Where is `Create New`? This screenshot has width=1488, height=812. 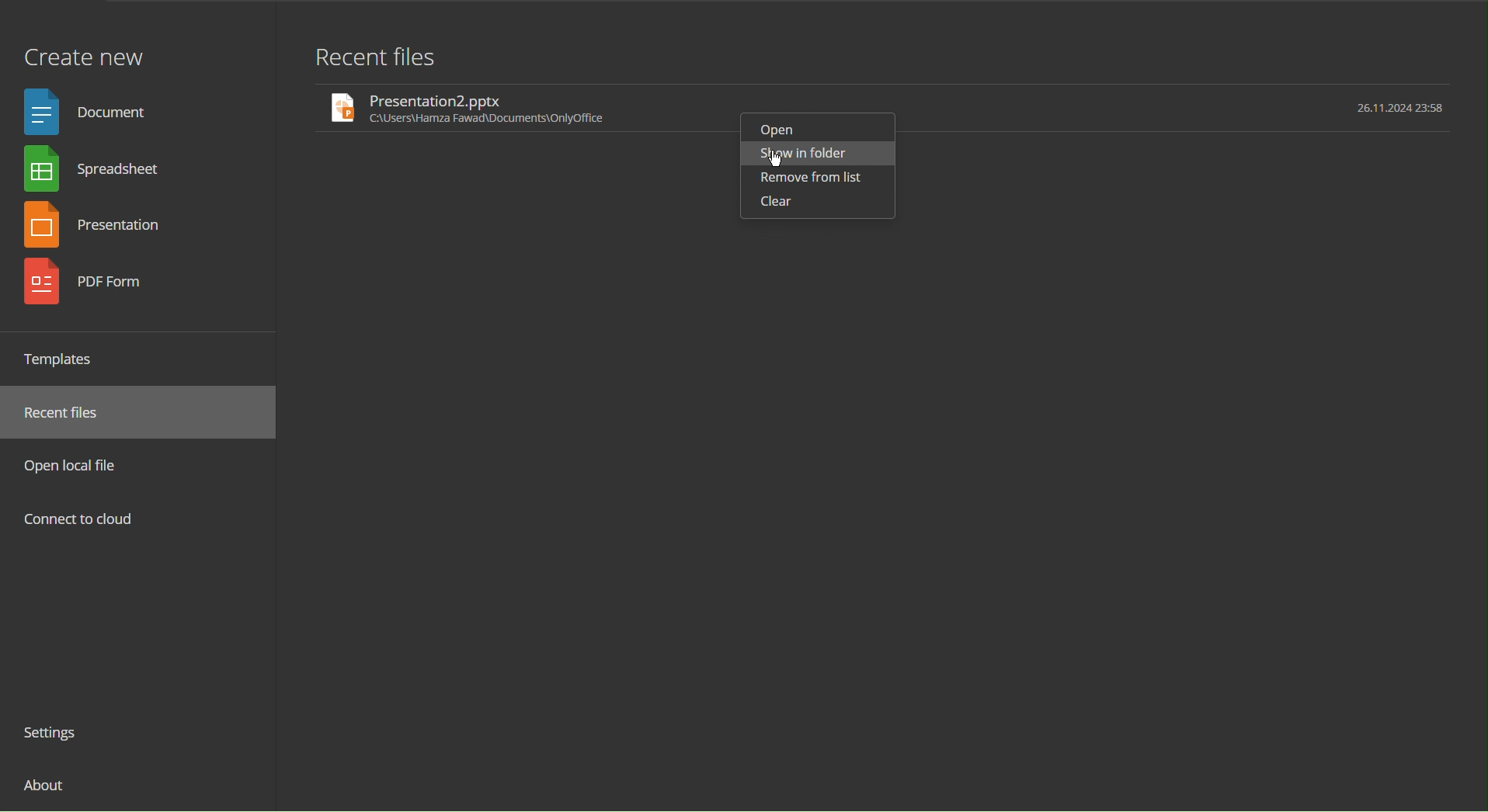 Create New is located at coordinates (83, 49).